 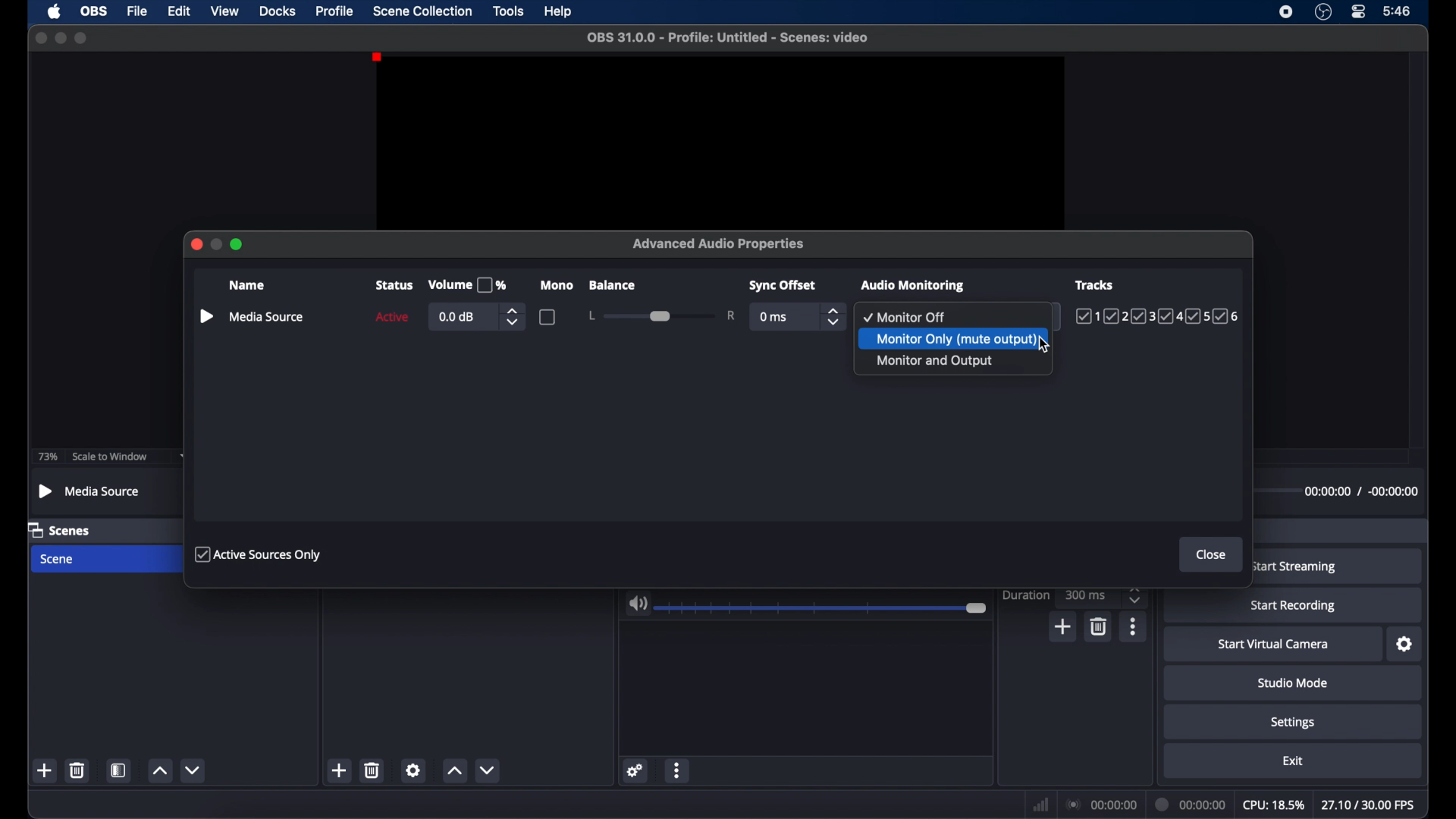 What do you see at coordinates (454, 770) in the screenshot?
I see `increment` at bounding box center [454, 770].